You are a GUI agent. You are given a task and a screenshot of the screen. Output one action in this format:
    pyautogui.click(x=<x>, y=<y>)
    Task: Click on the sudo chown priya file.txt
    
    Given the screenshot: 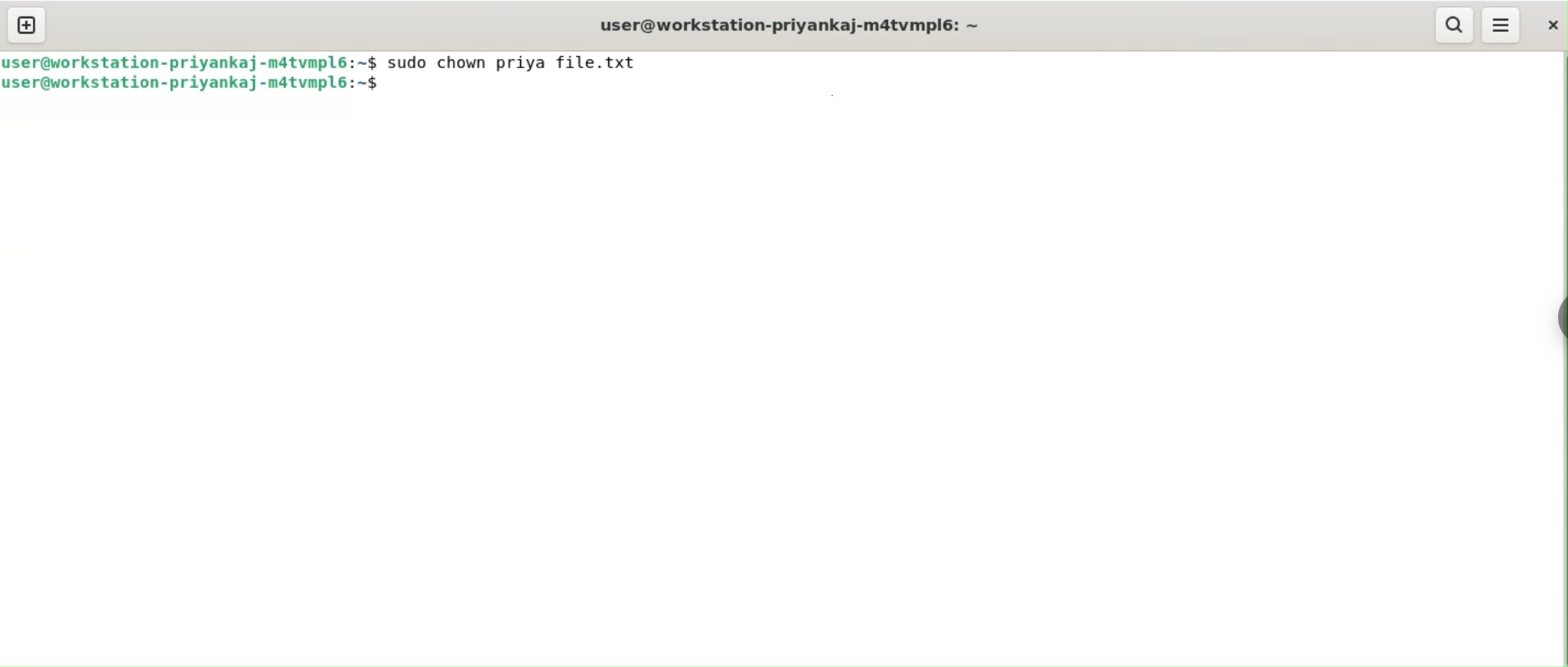 What is the action you would take?
    pyautogui.click(x=519, y=62)
    